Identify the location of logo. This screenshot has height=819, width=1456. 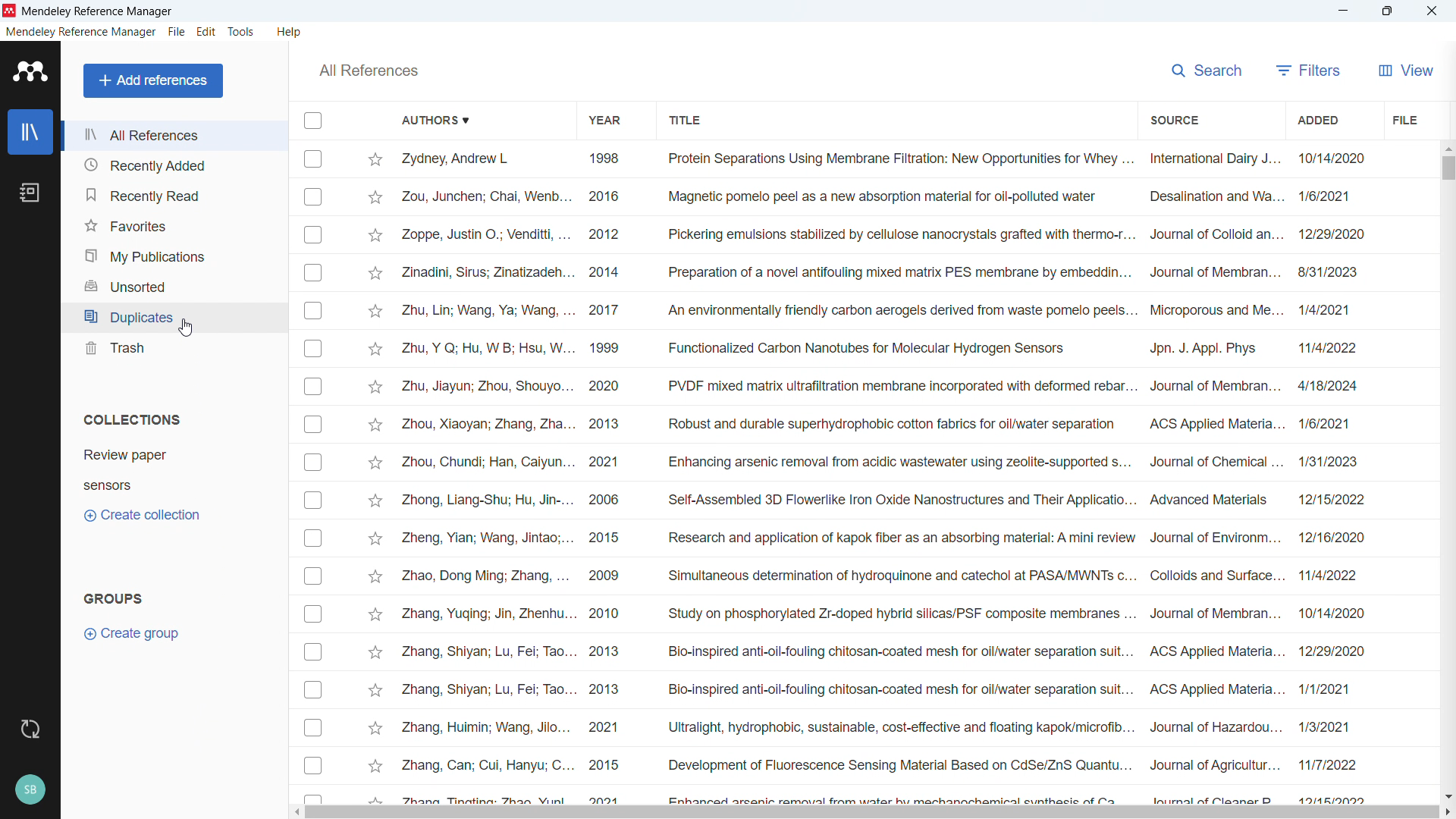
(30, 73).